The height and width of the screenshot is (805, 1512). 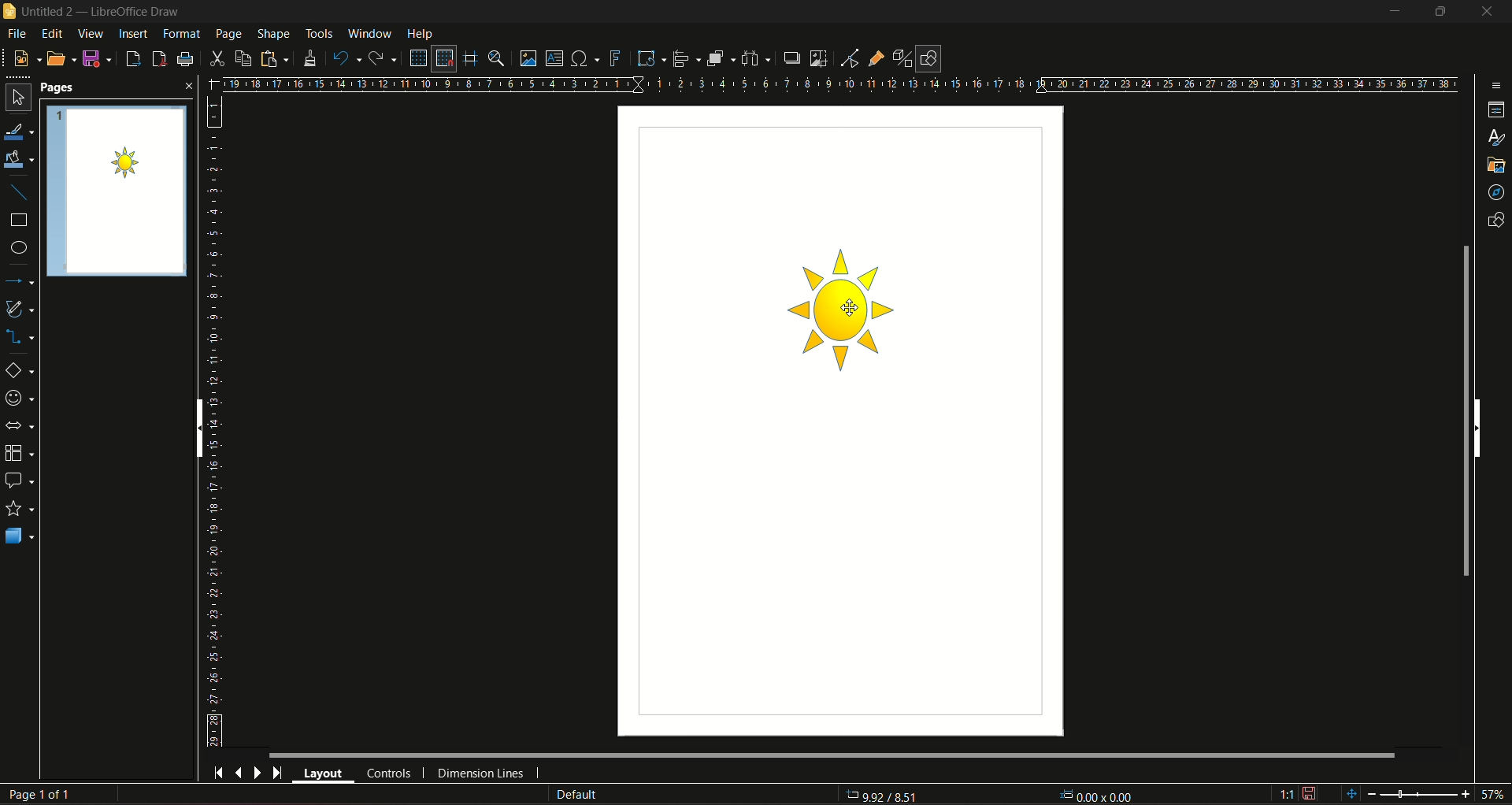 What do you see at coordinates (17, 99) in the screenshot?
I see `select` at bounding box center [17, 99].